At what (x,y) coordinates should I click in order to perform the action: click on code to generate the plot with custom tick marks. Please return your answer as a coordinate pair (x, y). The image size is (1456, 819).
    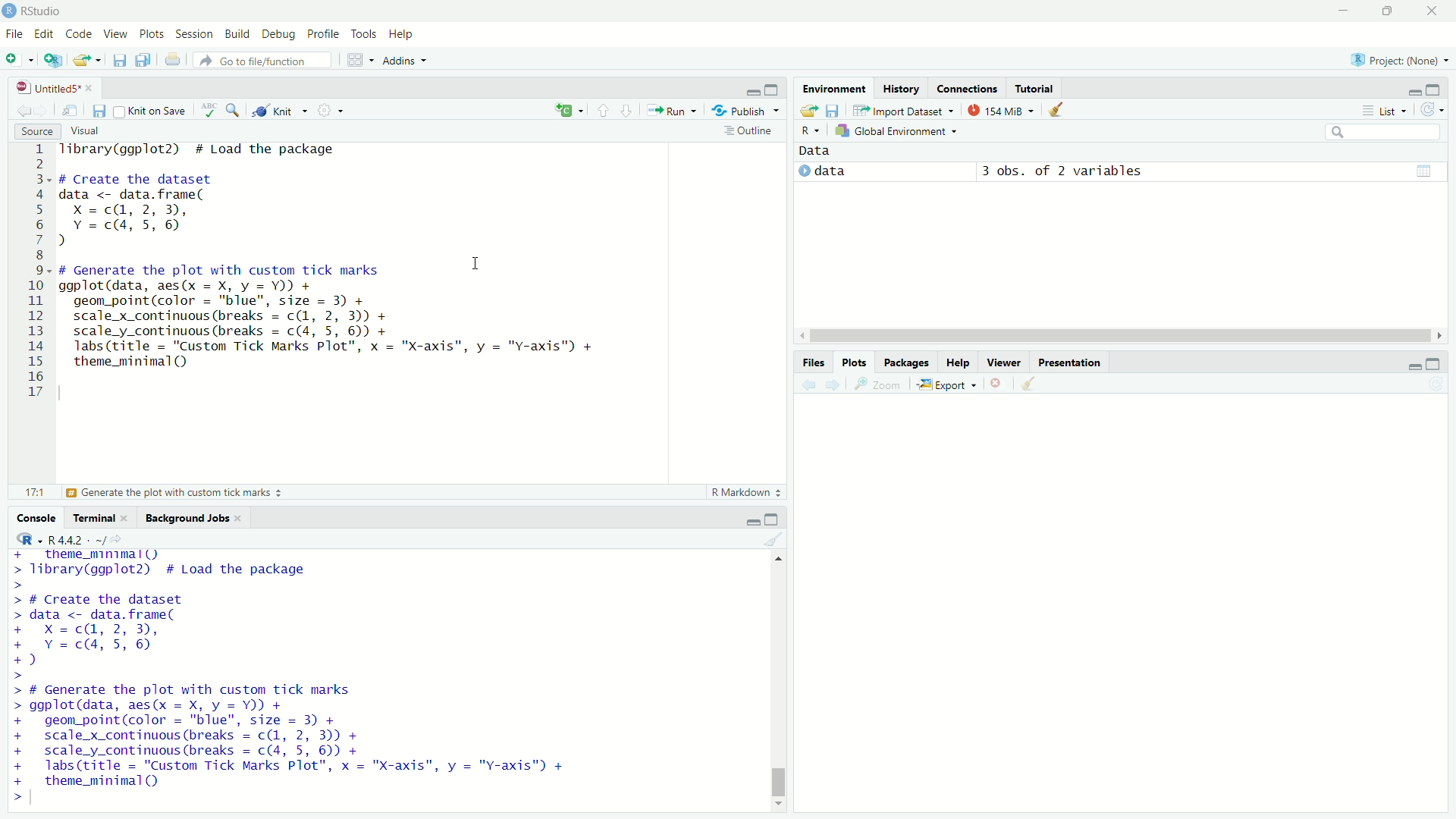
    Looking at the image, I should click on (301, 735).